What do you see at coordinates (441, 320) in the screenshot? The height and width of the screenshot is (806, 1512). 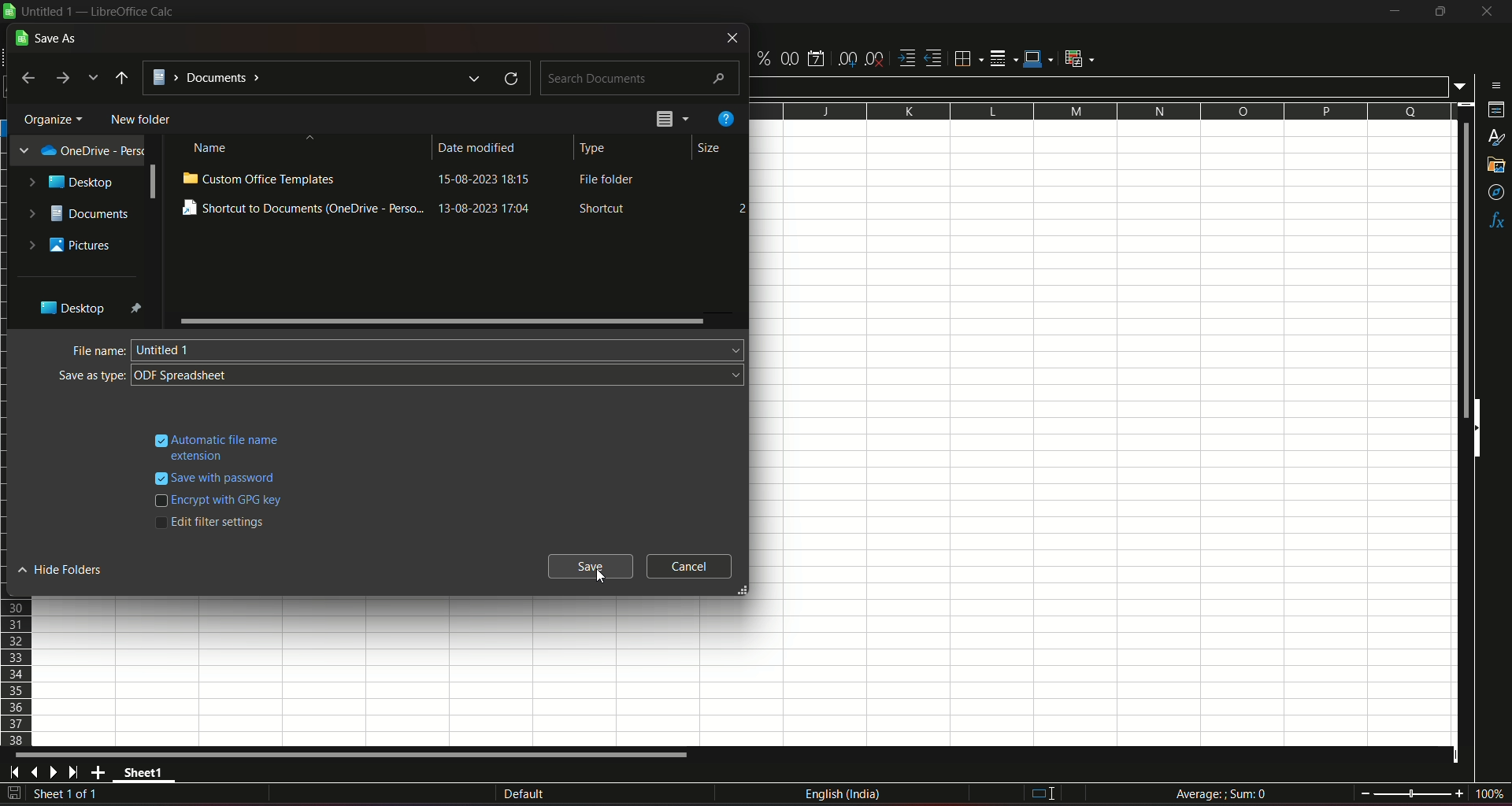 I see `scrollbar` at bounding box center [441, 320].